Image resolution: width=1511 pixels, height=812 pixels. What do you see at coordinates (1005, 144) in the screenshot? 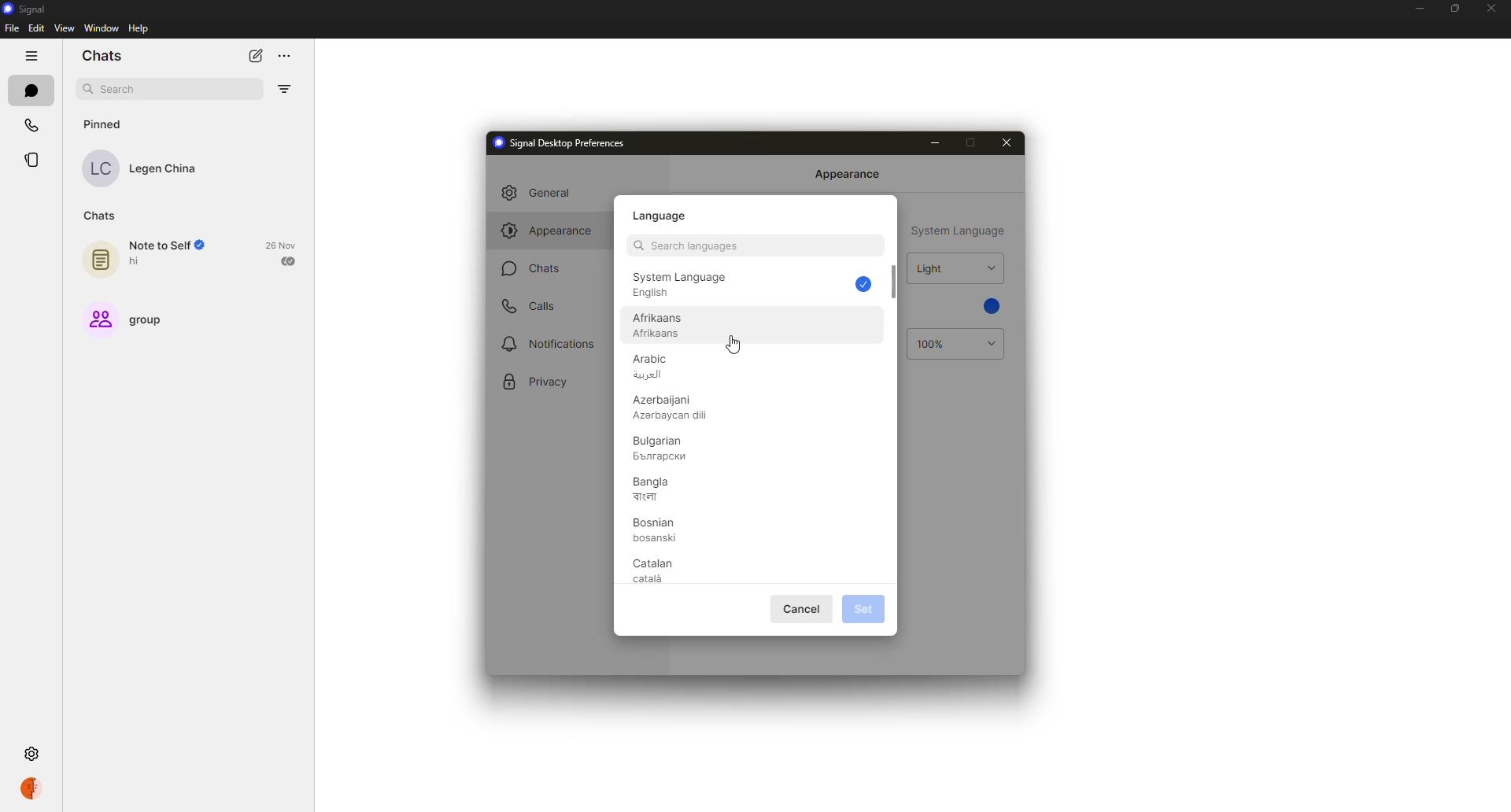
I see `close` at bounding box center [1005, 144].